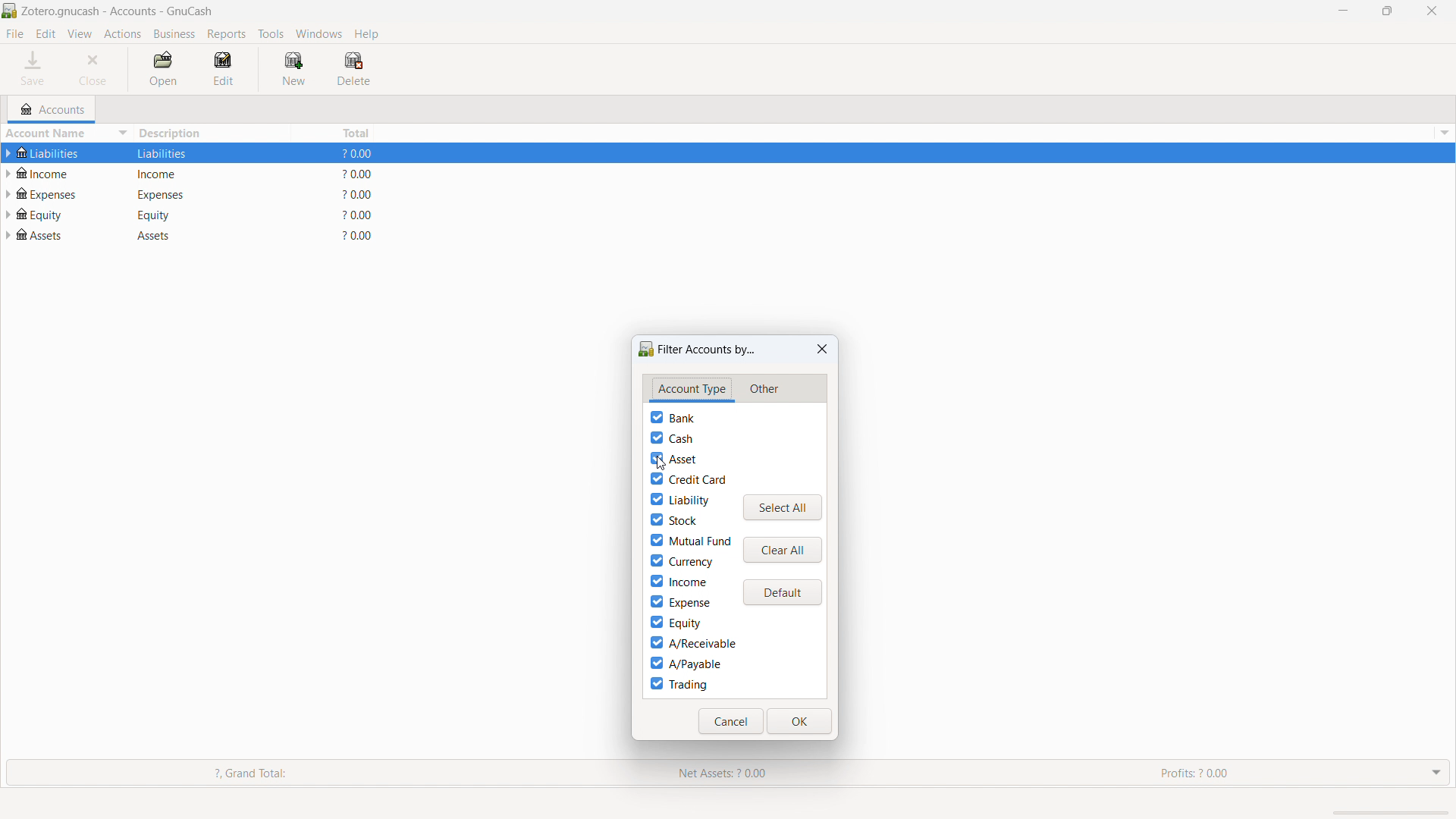 The image size is (1456, 819). What do you see at coordinates (35, 69) in the screenshot?
I see `save` at bounding box center [35, 69].